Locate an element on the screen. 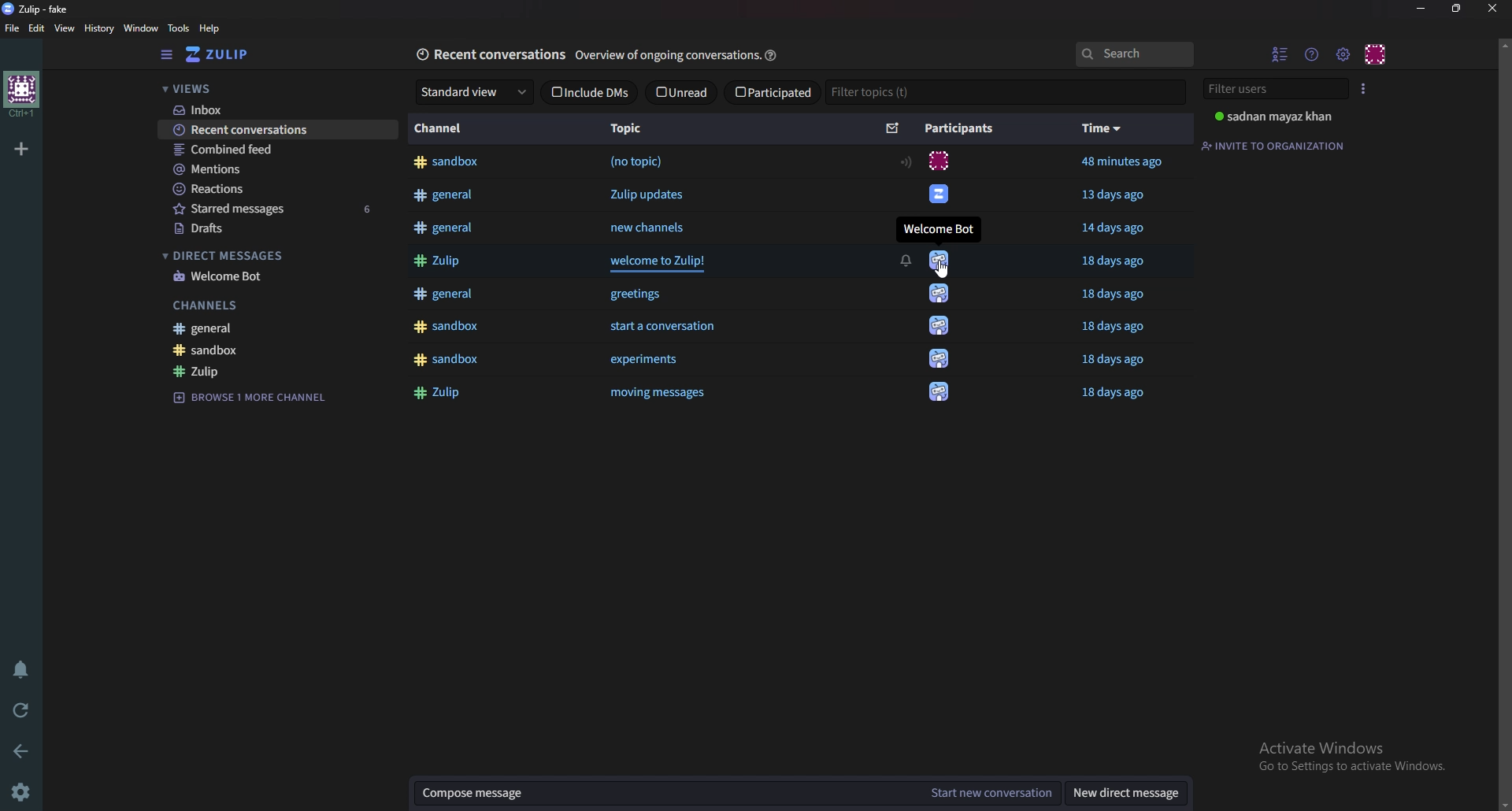 The width and height of the screenshot is (1512, 811). Compose message is located at coordinates (662, 795).